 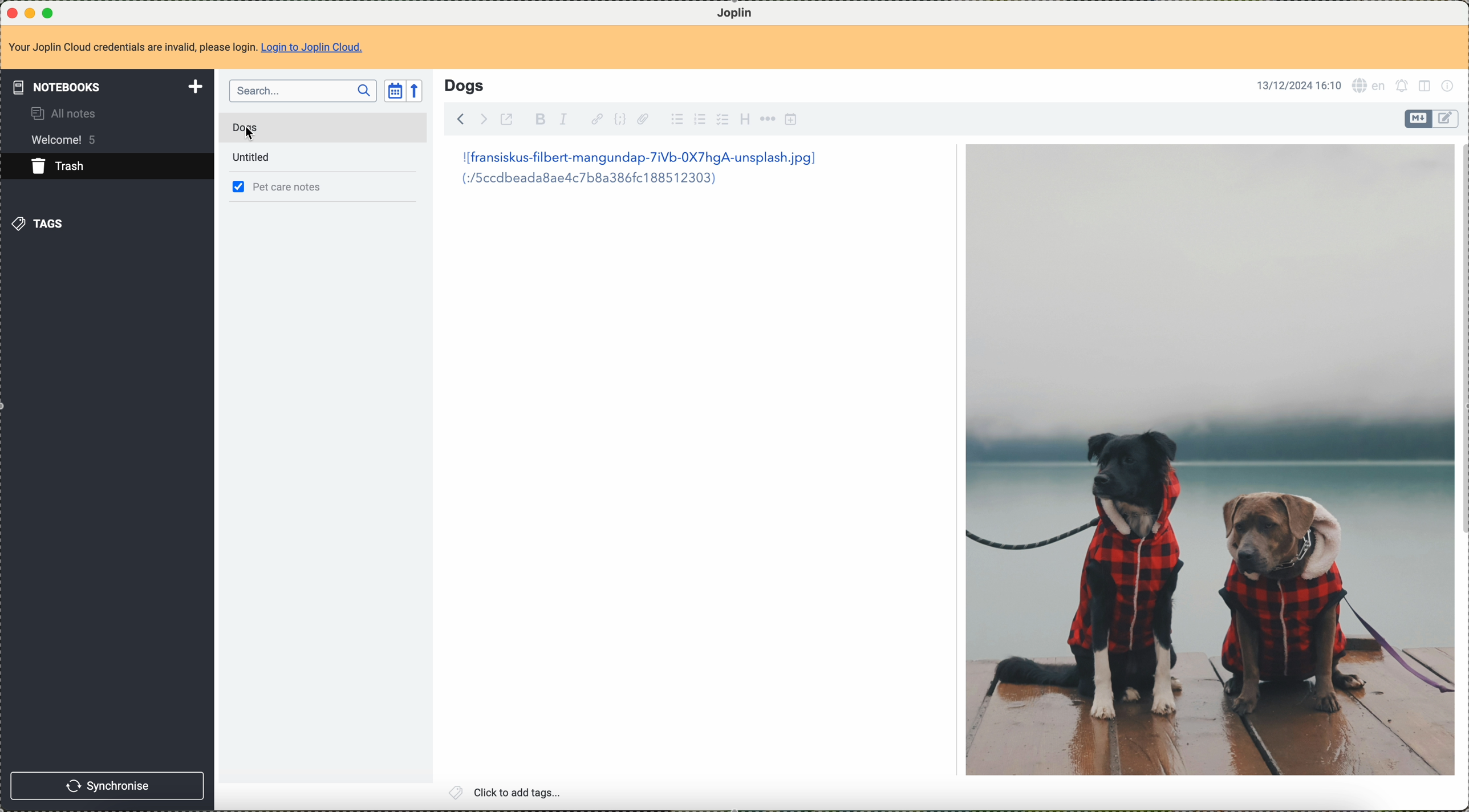 I want to click on horizontal rule, so click(x=768, y=120).